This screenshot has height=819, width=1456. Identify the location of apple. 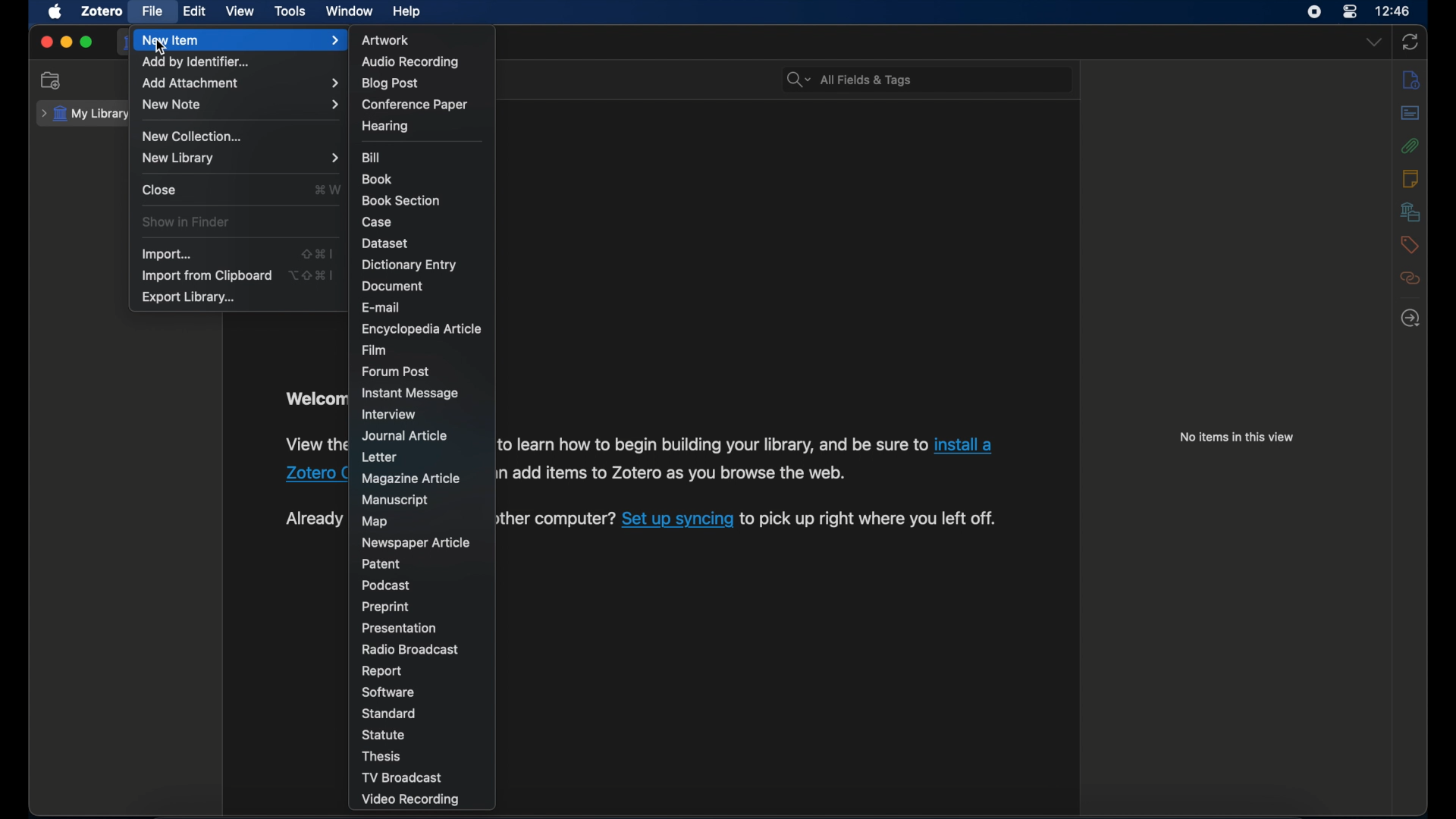
(55, 12).